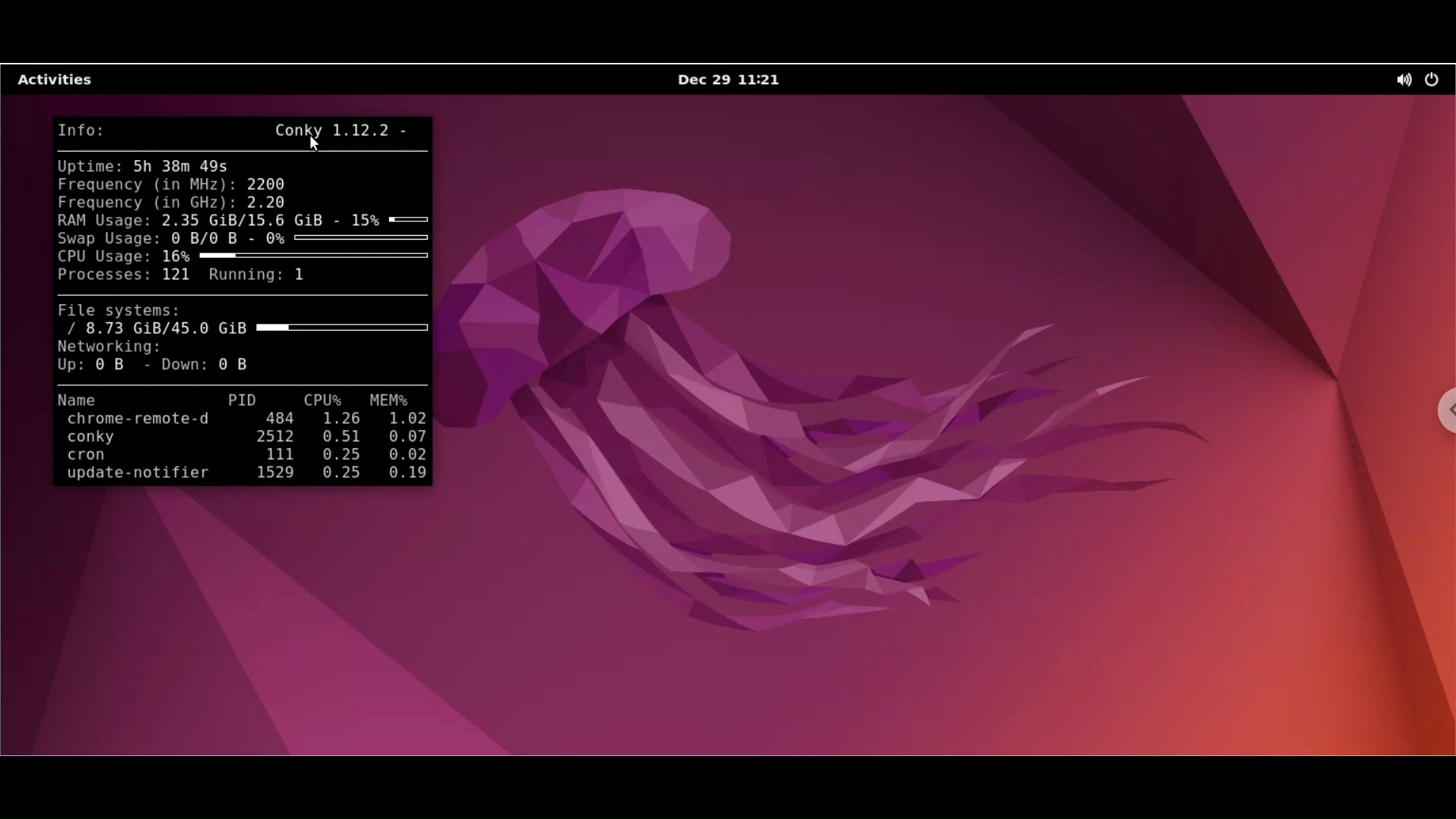 This screenshot has width=1456, height=819. Describe the element at coordinates (271, 455) in the screenshot. I see `111` at that location.